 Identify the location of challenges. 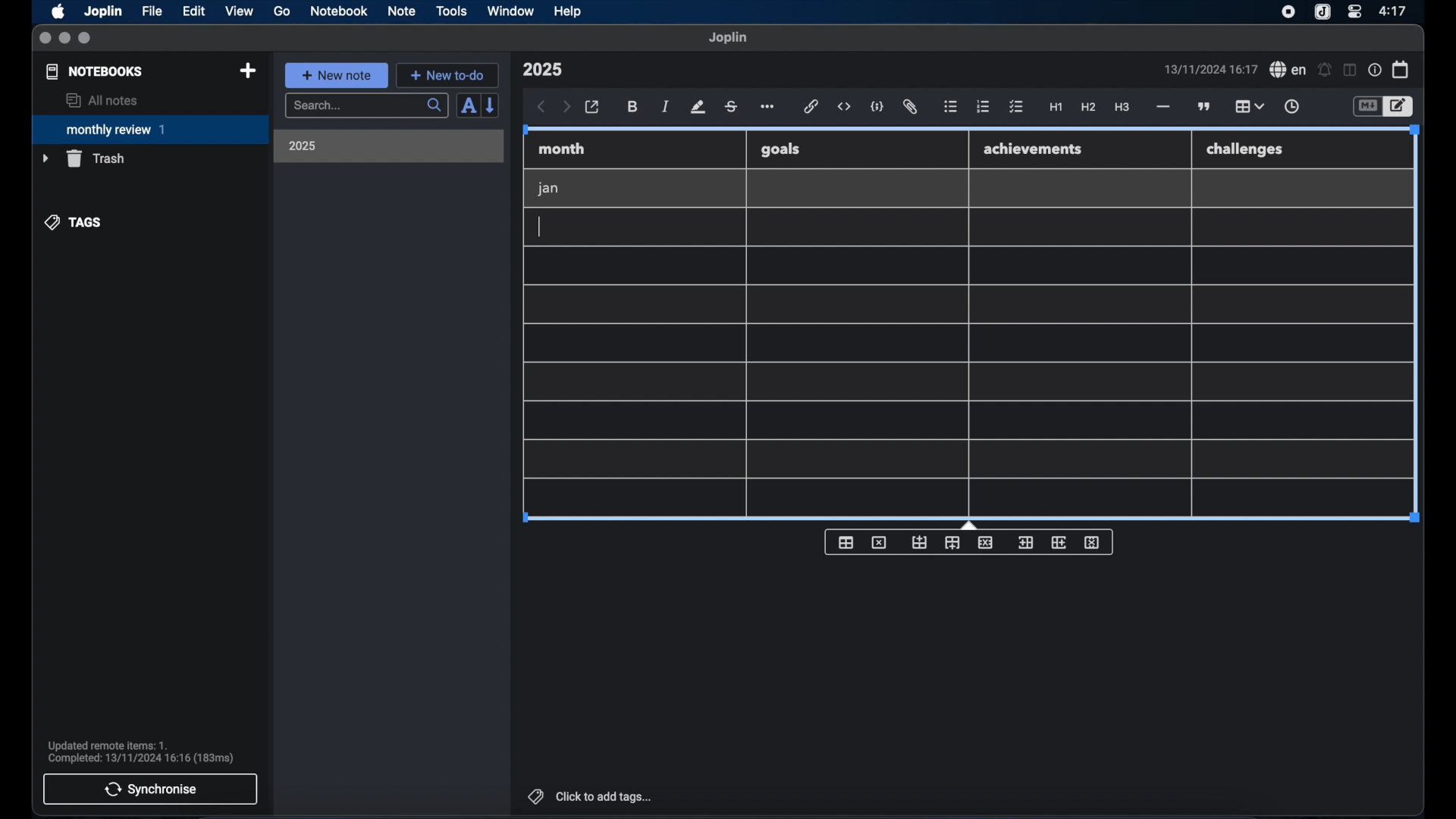
(1246, 150).